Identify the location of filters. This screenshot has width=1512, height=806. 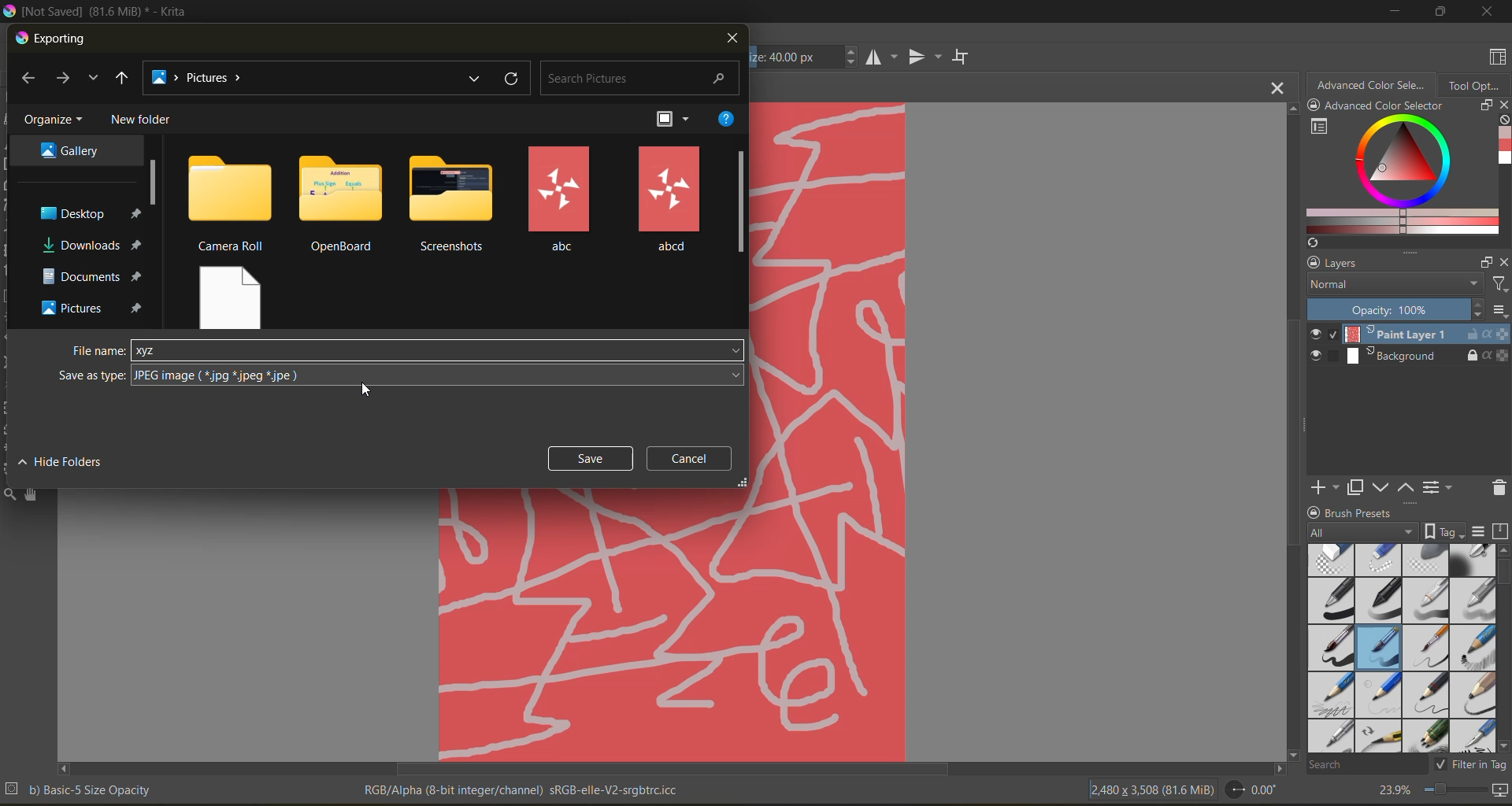
(1499, 285).